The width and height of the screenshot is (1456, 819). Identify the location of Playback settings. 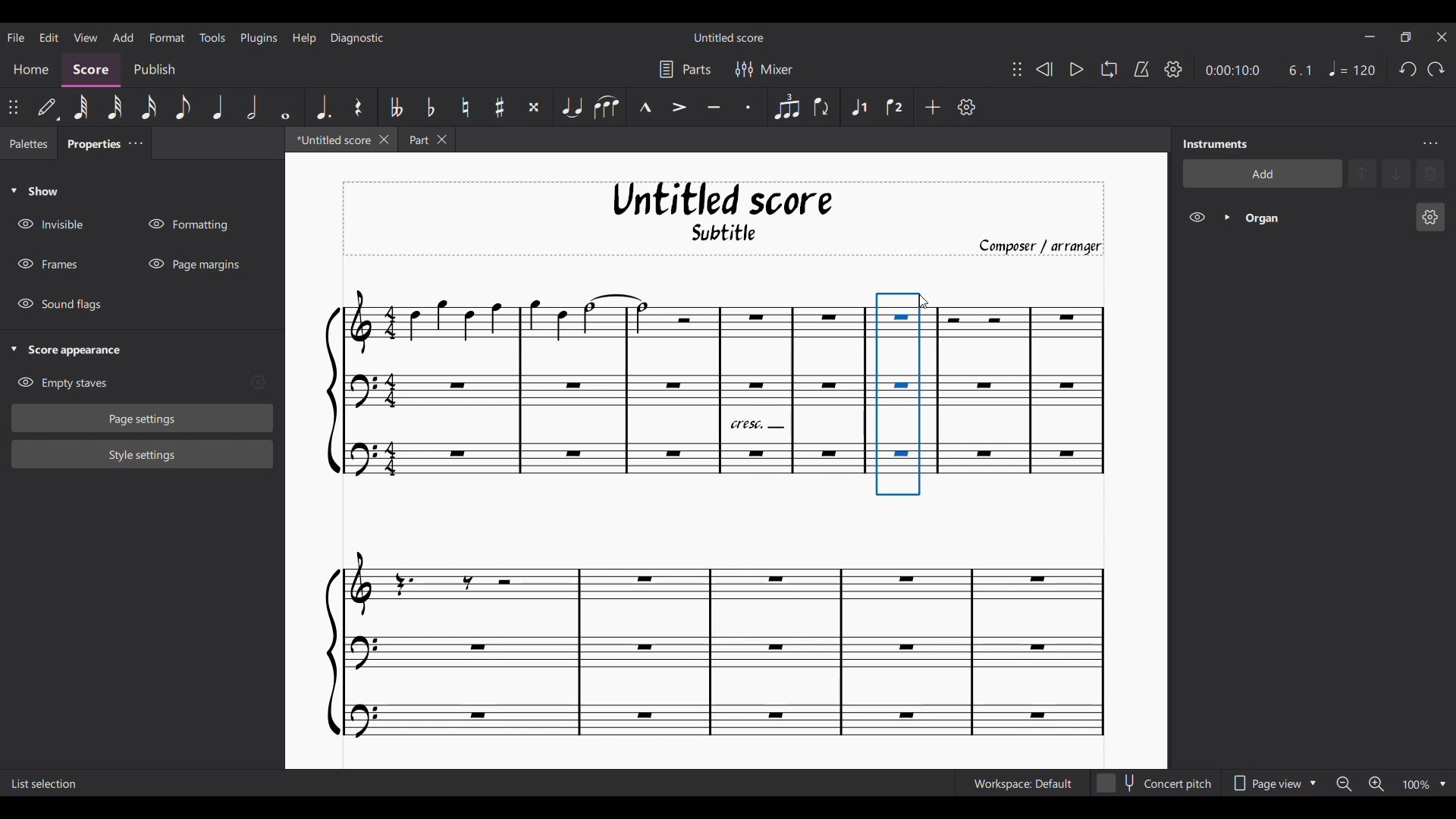
(1173, 68).